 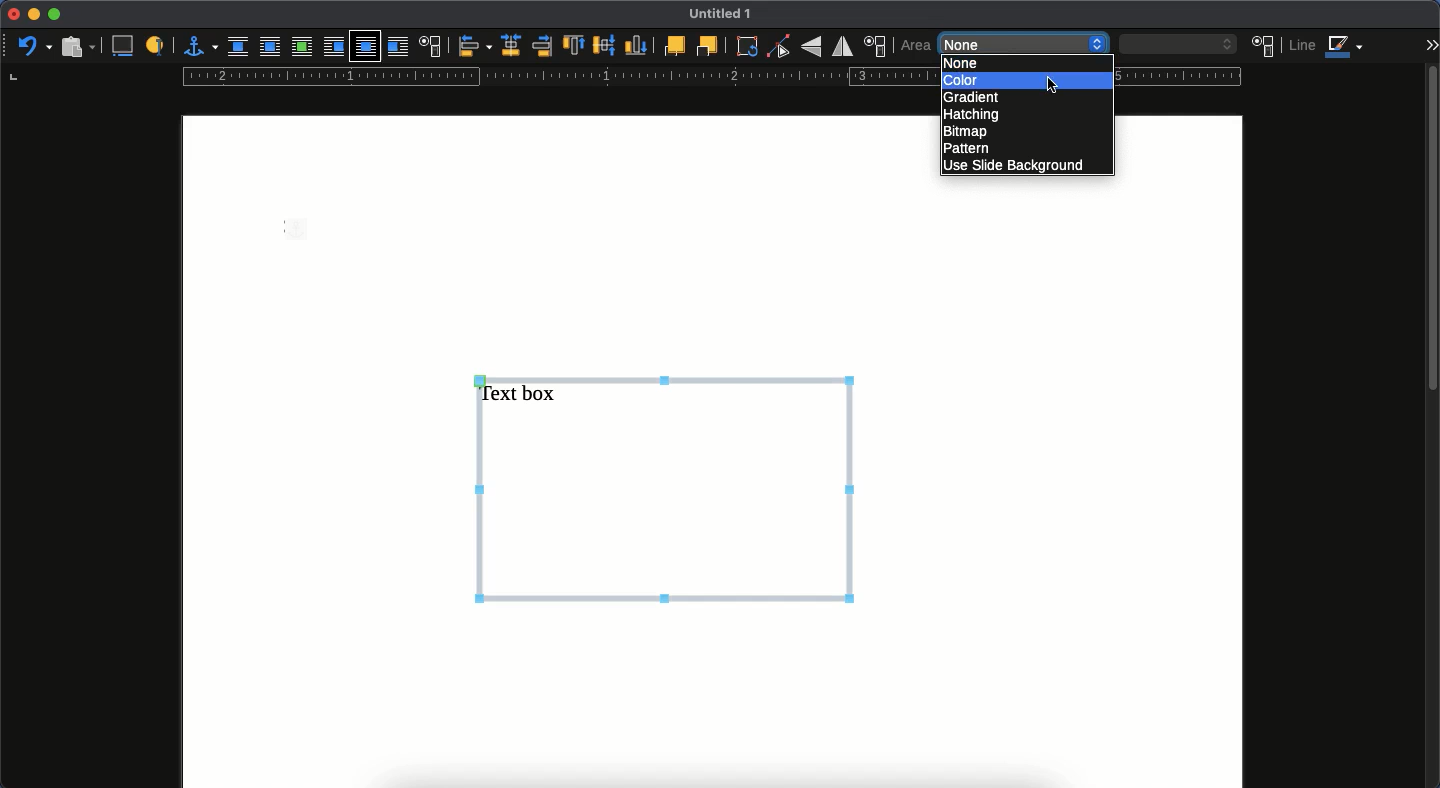 I want to click on color, so click(x=966, y=81).